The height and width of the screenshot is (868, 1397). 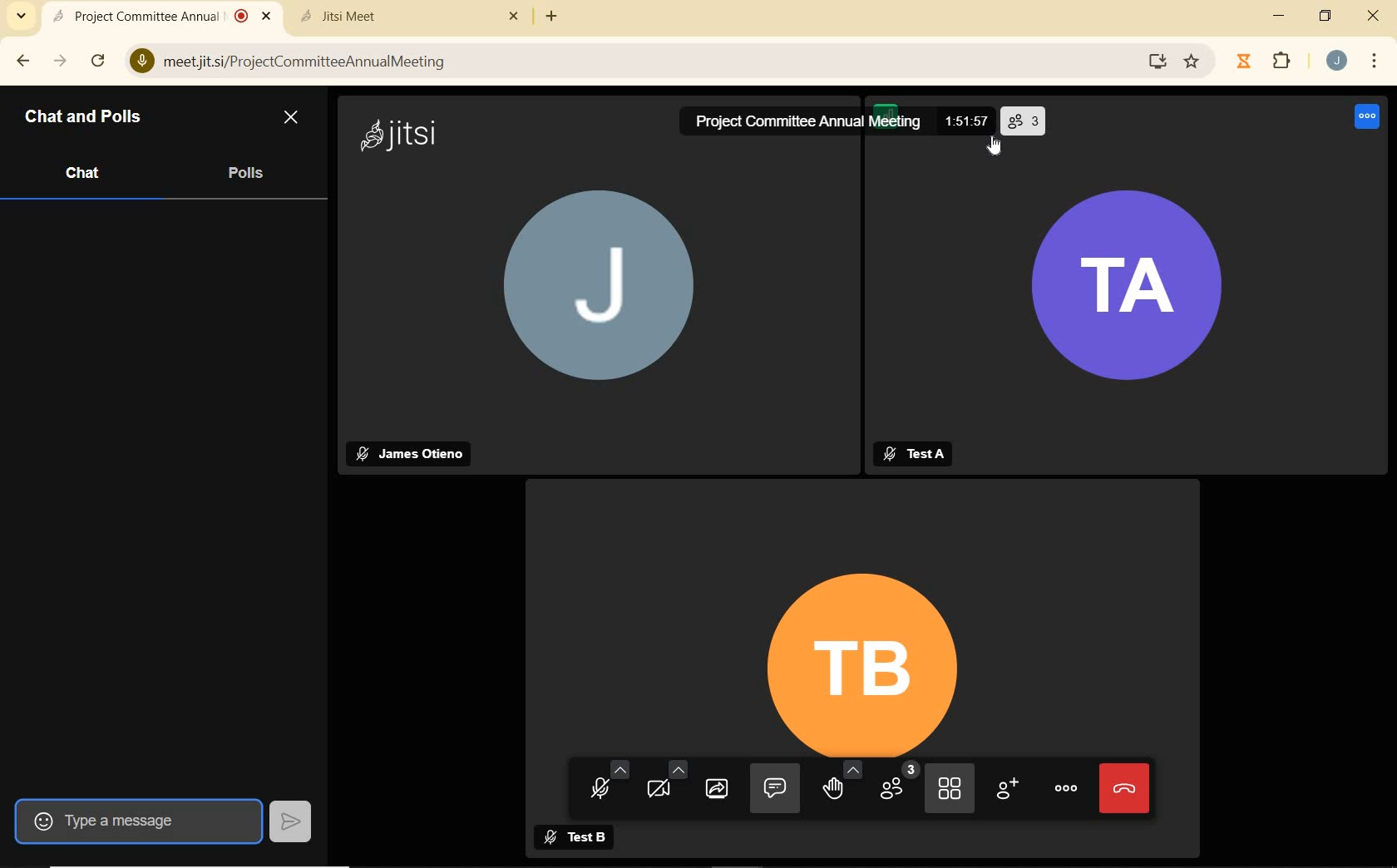 I want to click on back, so click(x=20, y=60).